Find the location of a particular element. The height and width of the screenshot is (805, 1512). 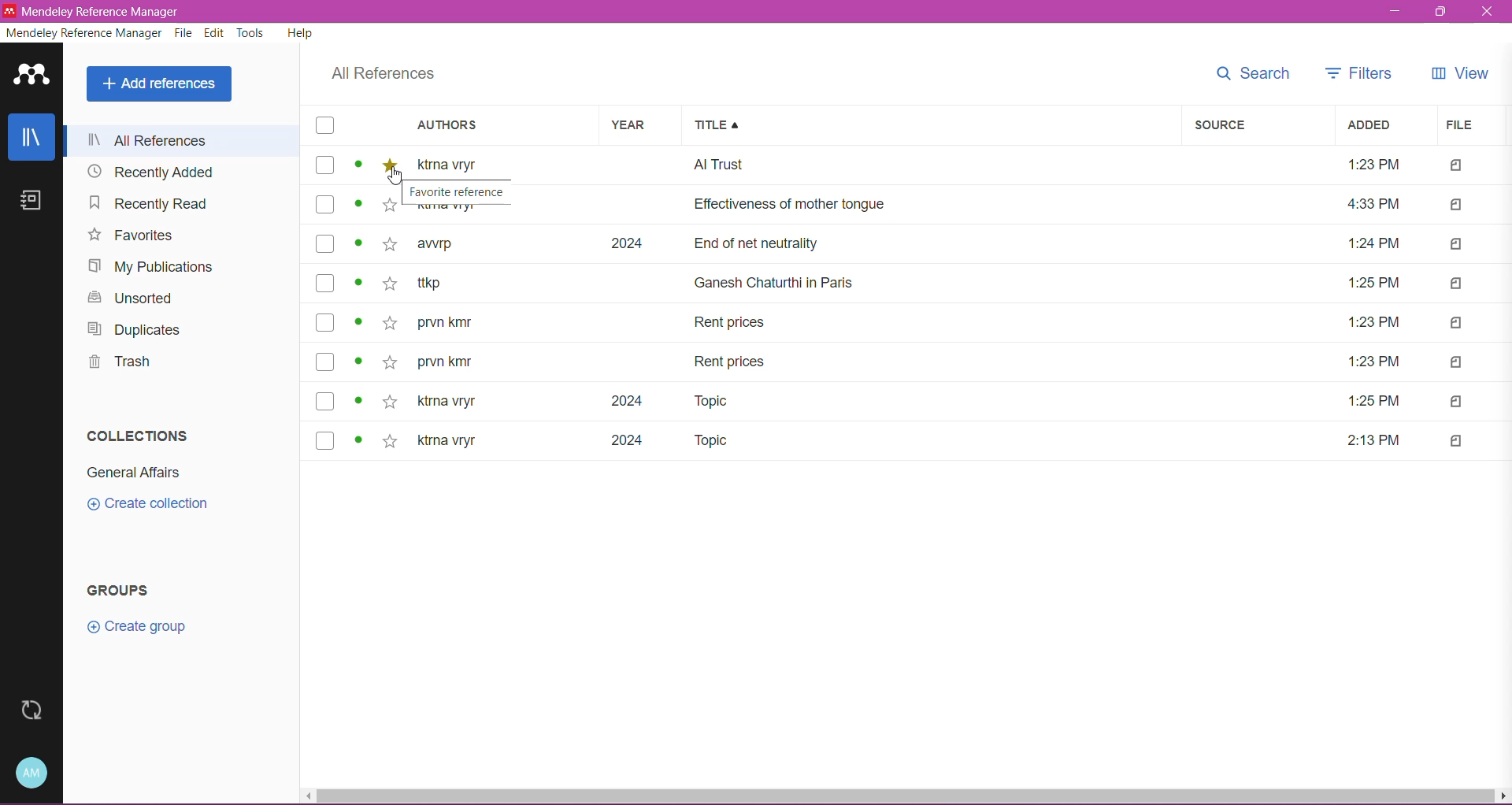

Click to see more details is located at coordinates (358, 360).